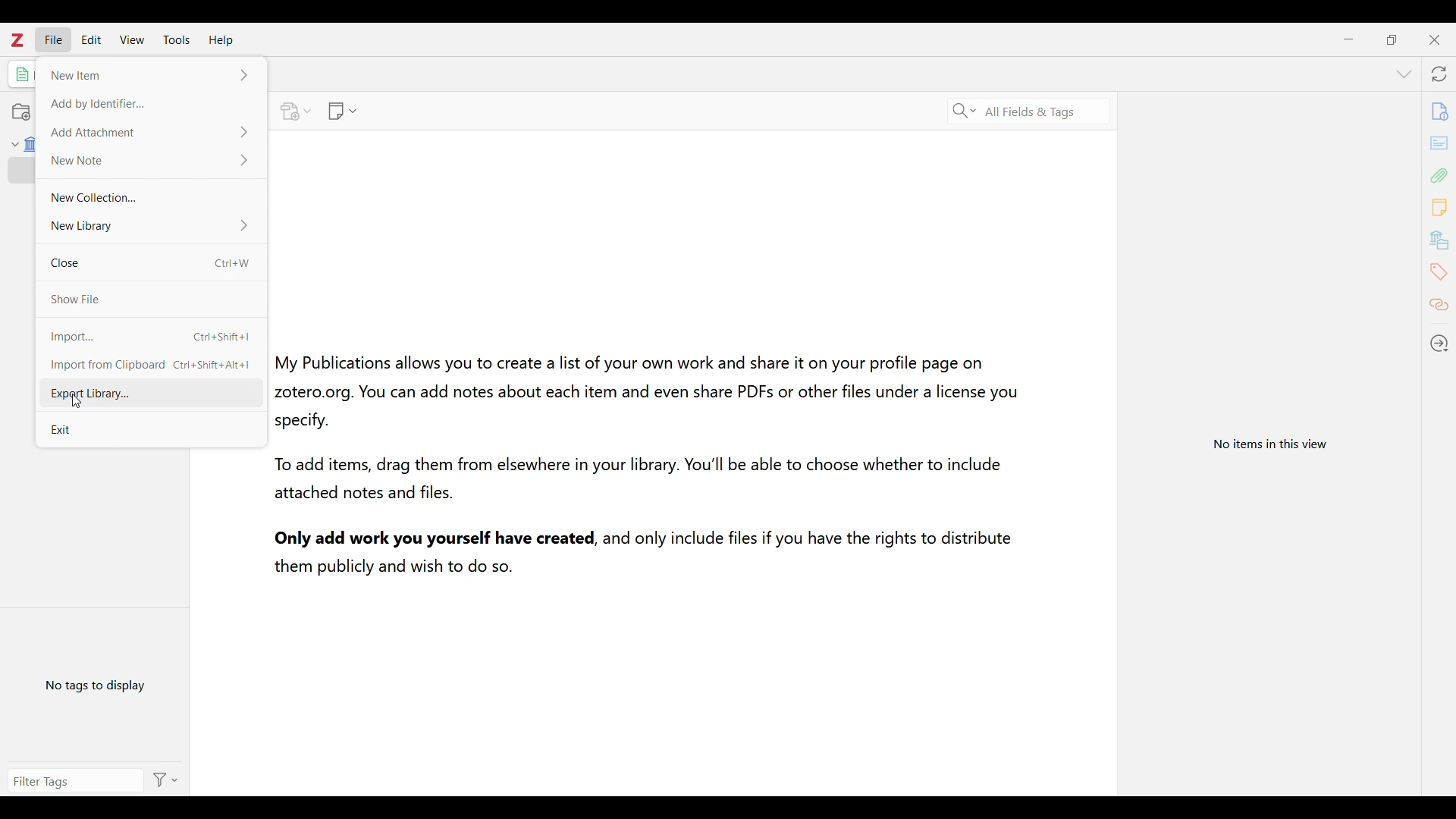 The width and height of the screenshot is (1456, 819). Describe the element at coordinates (1439, 175) in the screenshot. I see `Attachments` at that location.